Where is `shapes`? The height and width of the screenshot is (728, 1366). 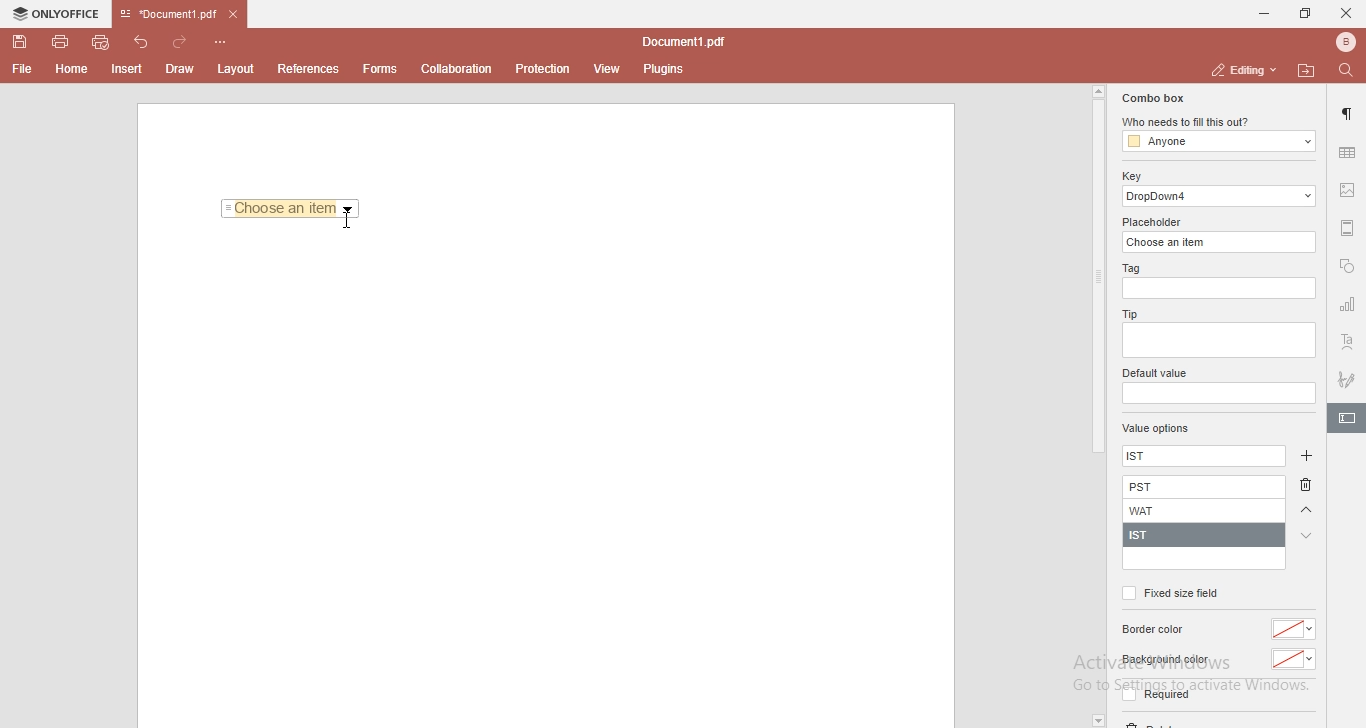 shapes is located at coordinates (1347, 268).